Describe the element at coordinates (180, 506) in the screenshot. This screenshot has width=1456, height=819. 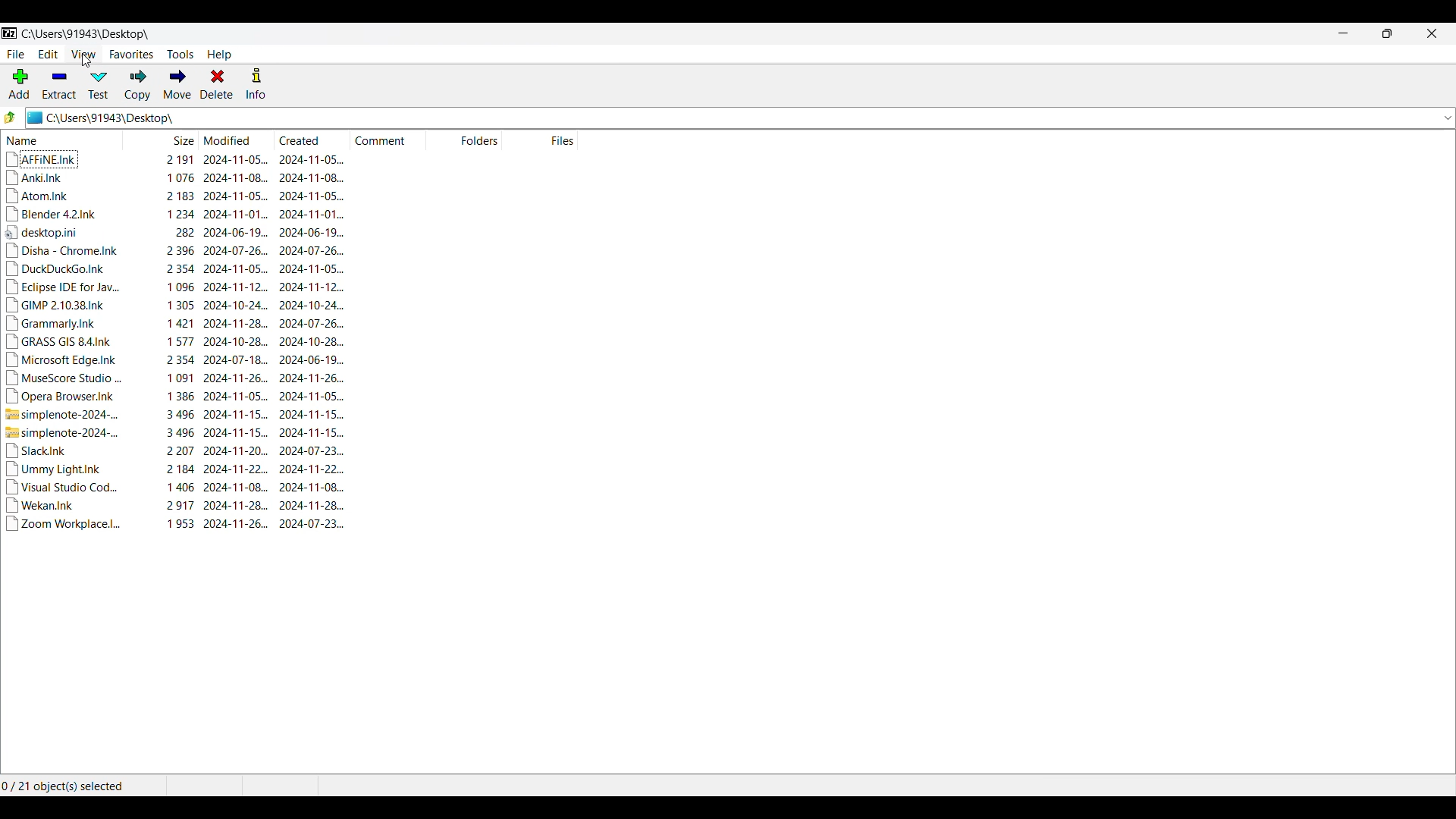
I see `Wekan.Ink 2917 2024-11-28. 2024-11-28..` at that location.